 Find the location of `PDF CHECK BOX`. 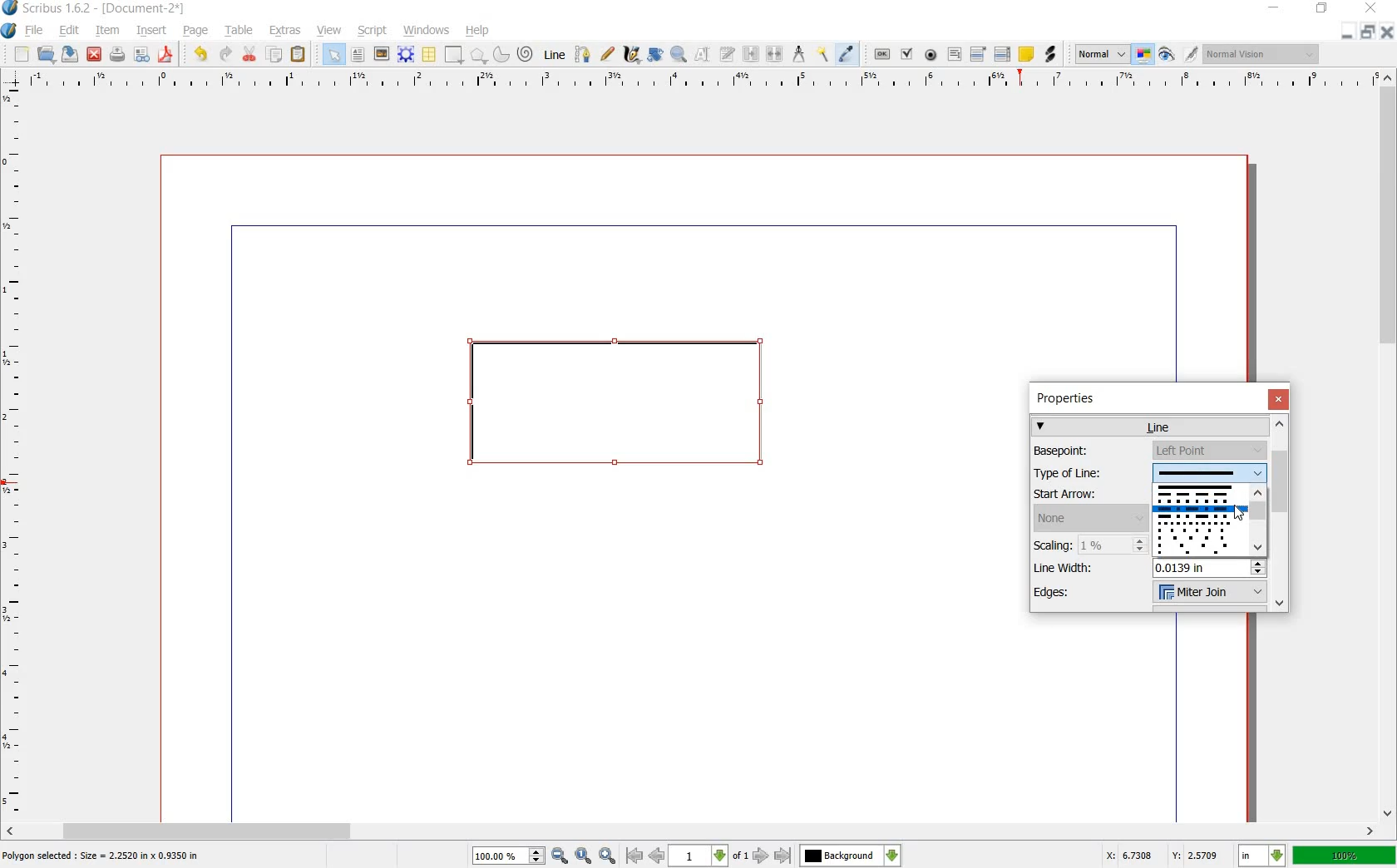

PDF CHECK BOX is located at coordinates (907, 54).